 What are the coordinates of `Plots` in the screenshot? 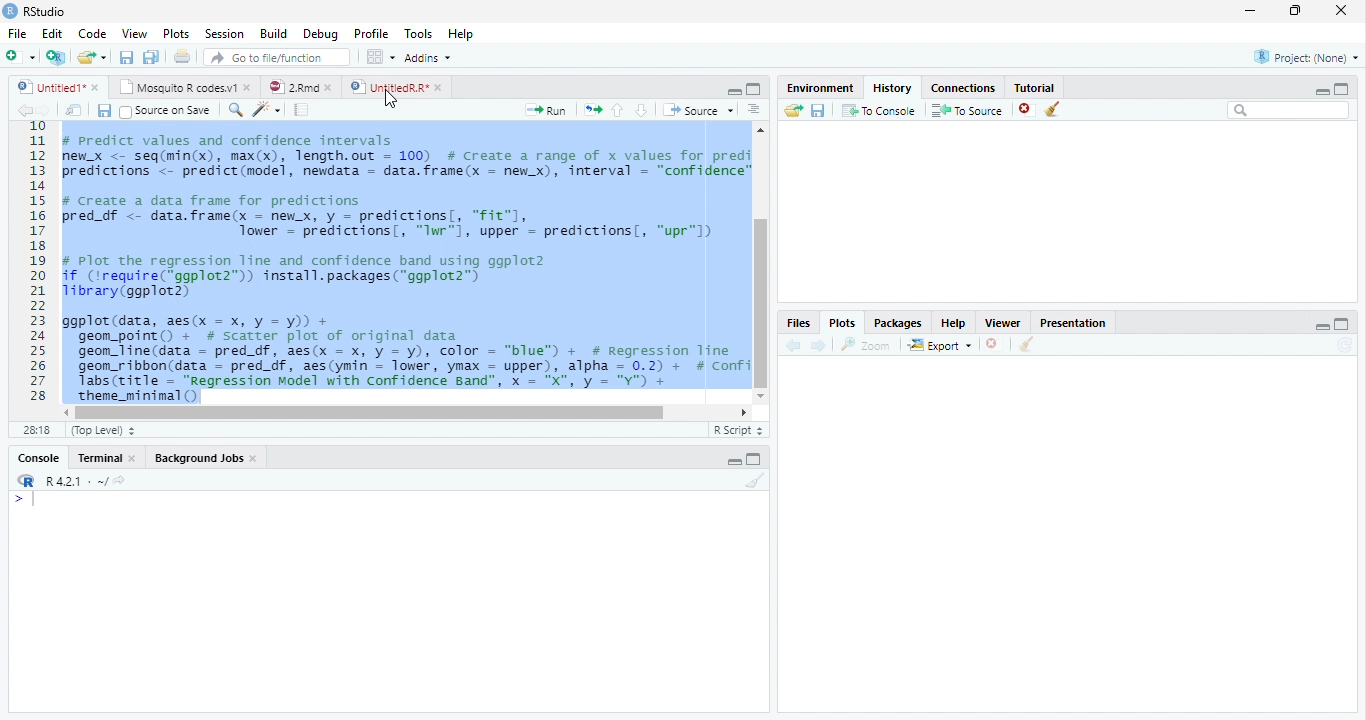 It's located at (844, 322).